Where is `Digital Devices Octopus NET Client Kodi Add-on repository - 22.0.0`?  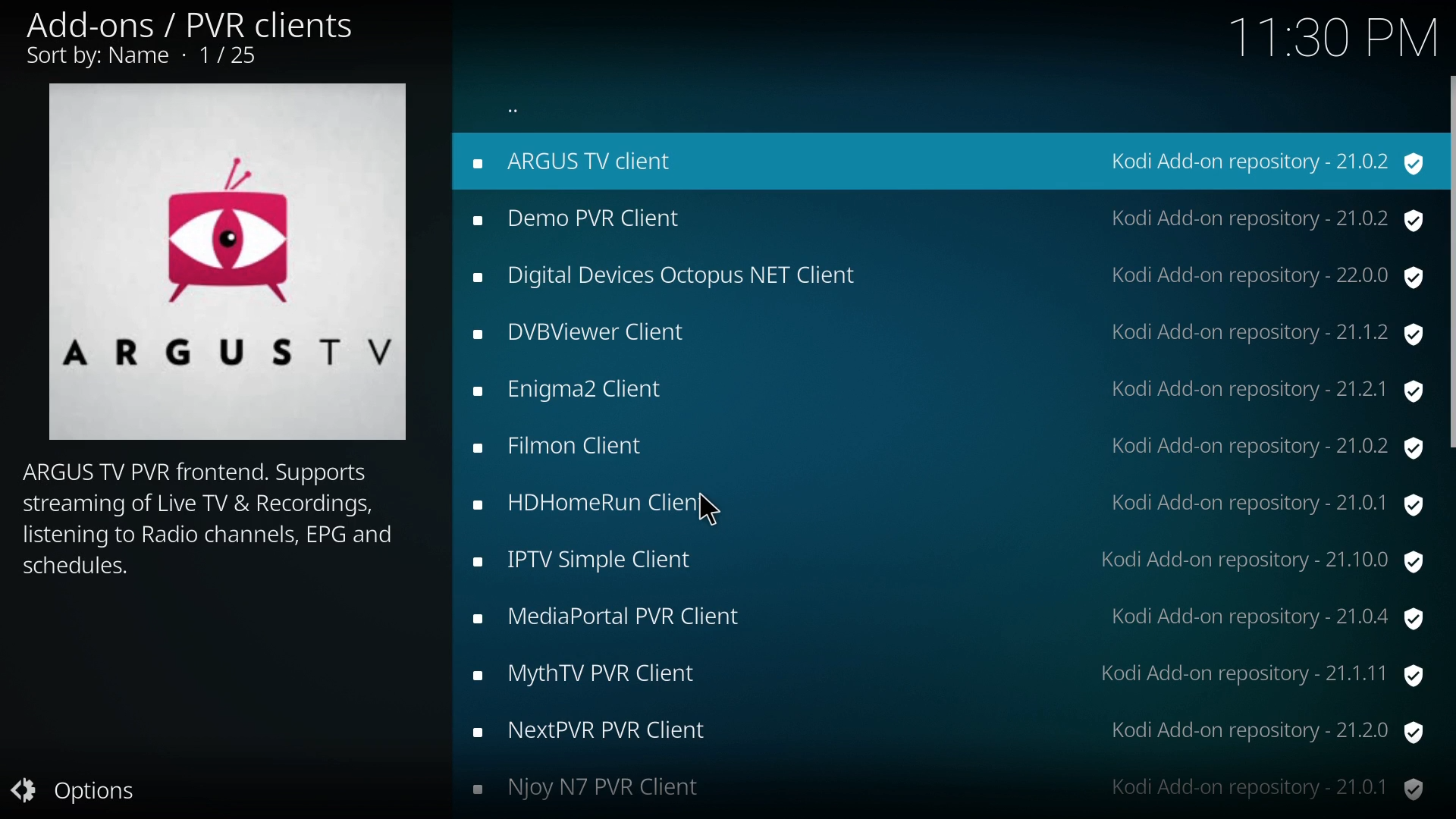
Digital Devices Octopus NET Client Kodi Add-on repository - 22.0.0 is located at coordinates (946, 275).